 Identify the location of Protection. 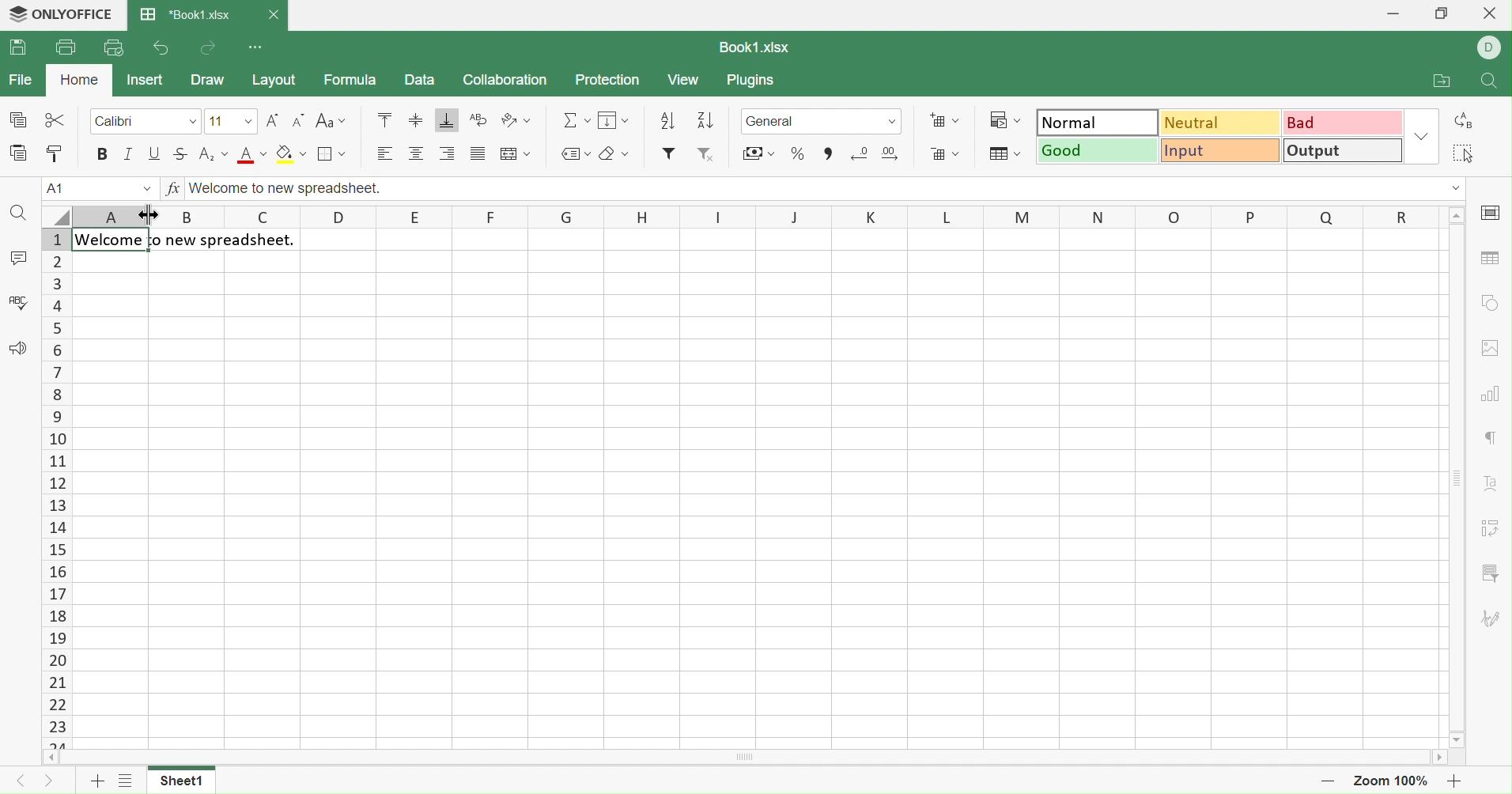
(609, 80).